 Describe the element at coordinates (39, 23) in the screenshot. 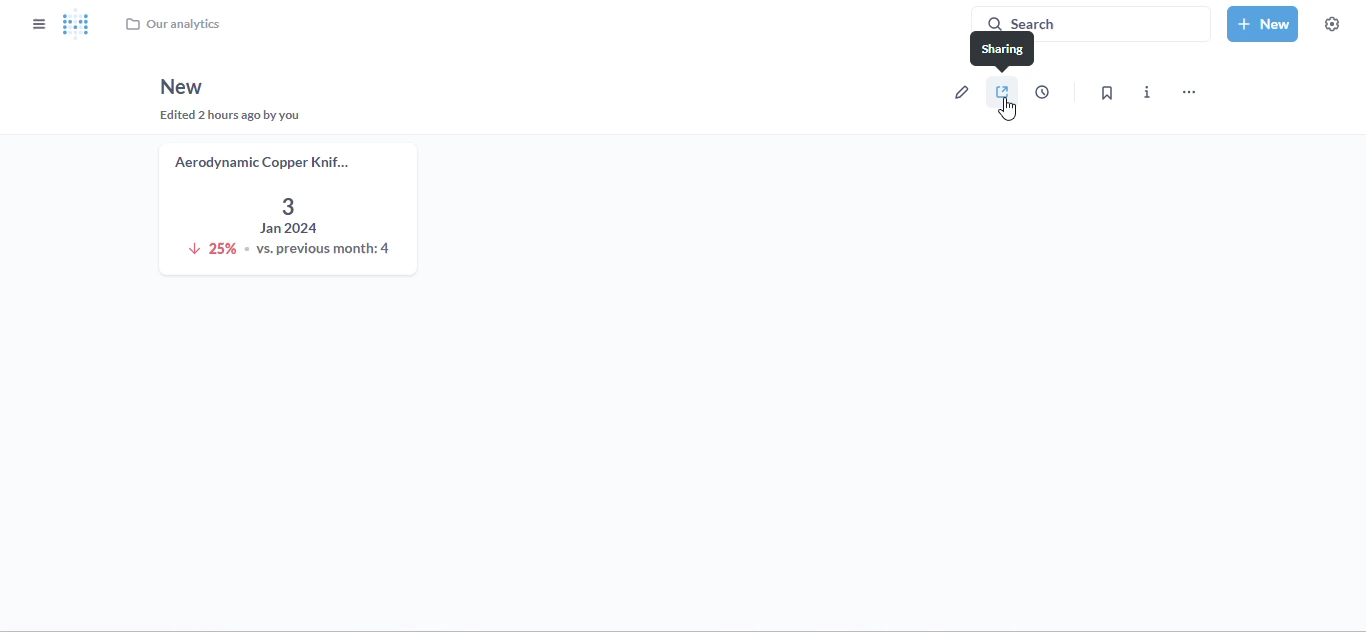

I see `close sidebar` at that location.